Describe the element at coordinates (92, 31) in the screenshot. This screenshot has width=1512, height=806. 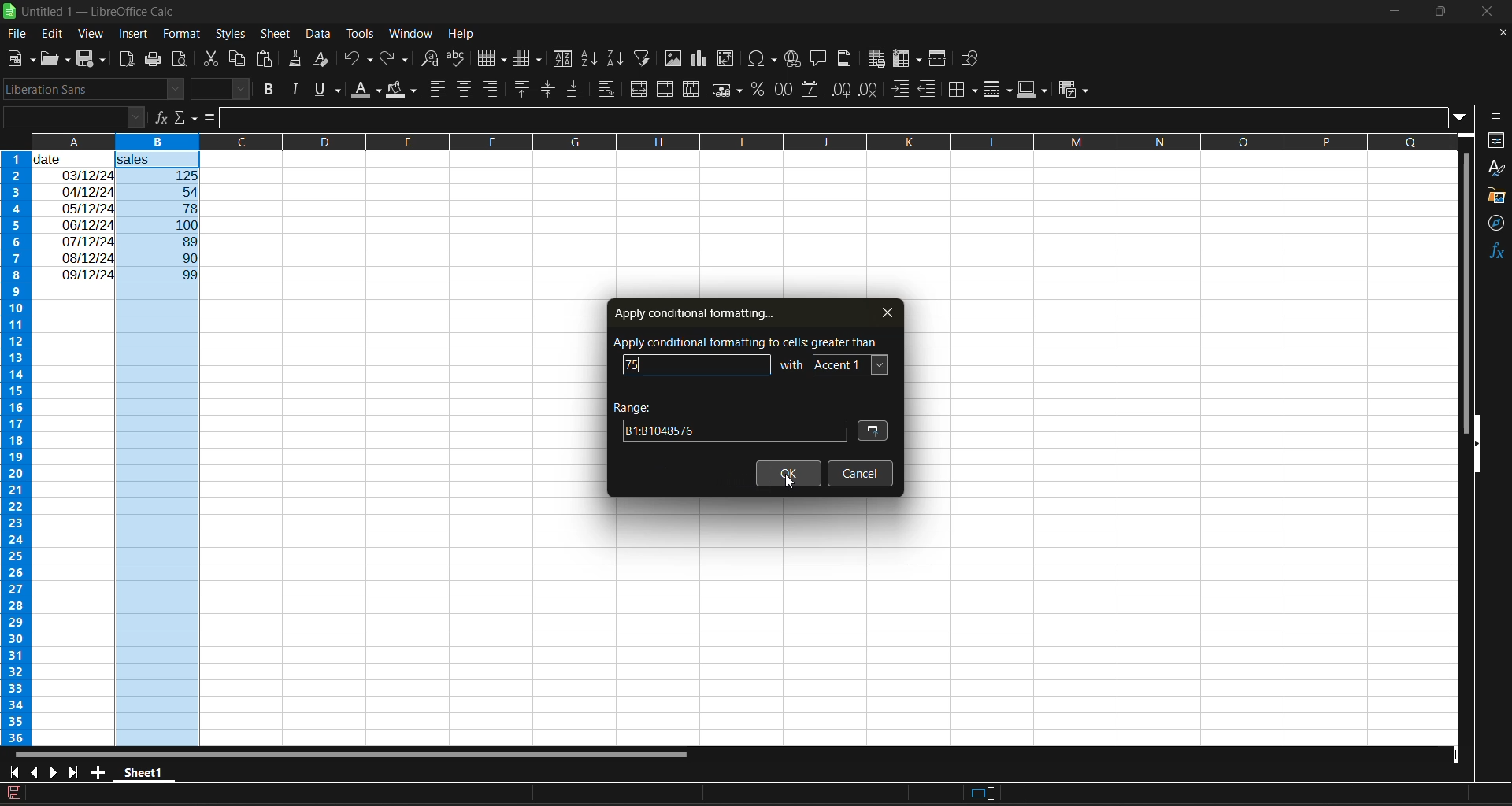
I see `view` at that location.